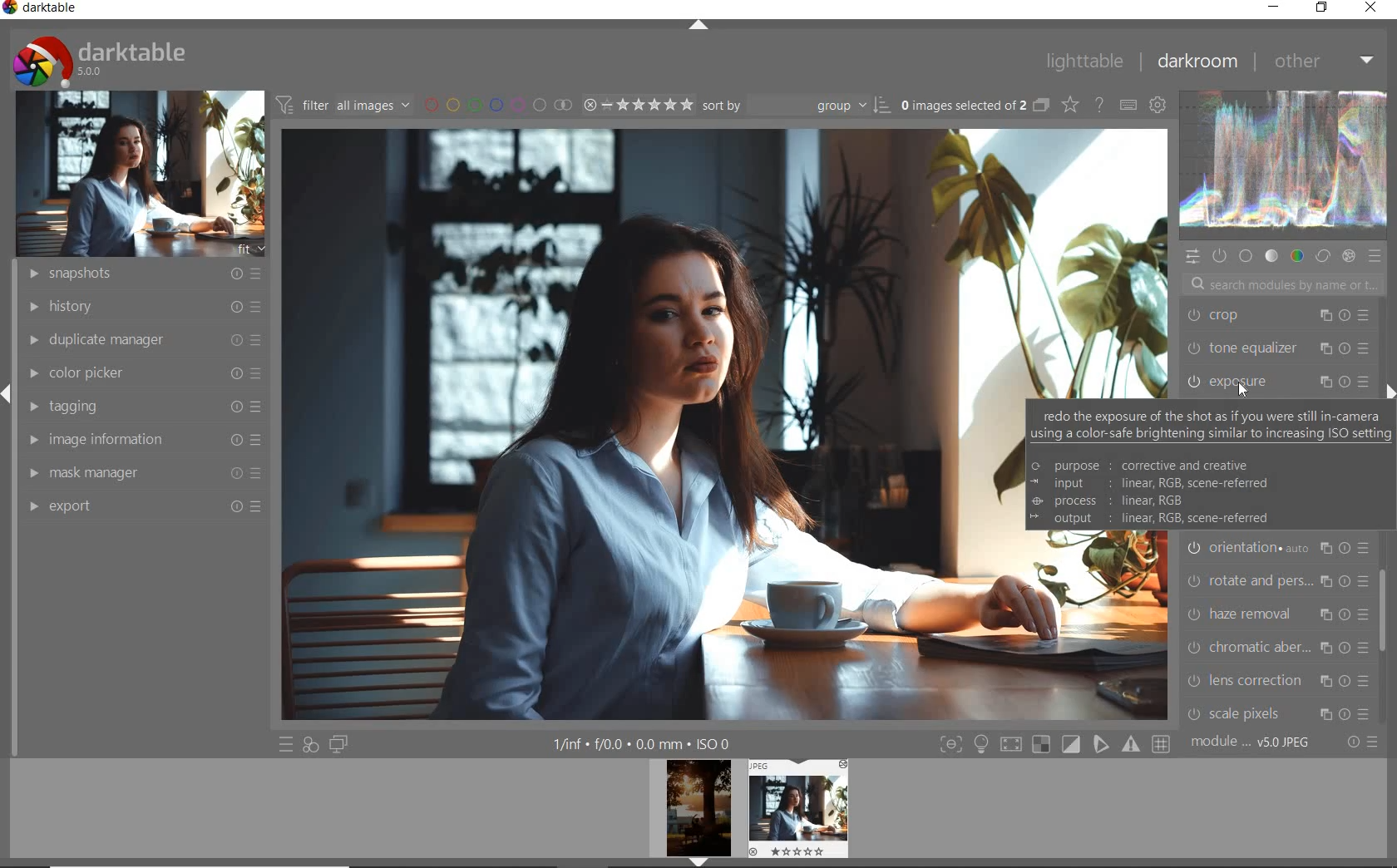 The height and width of the screenshot is (868, 1397). Describe the element at coordinates (637, 105) in the screenshot. I see `SELECTED  IMAGE RANGE RATING` at that location.